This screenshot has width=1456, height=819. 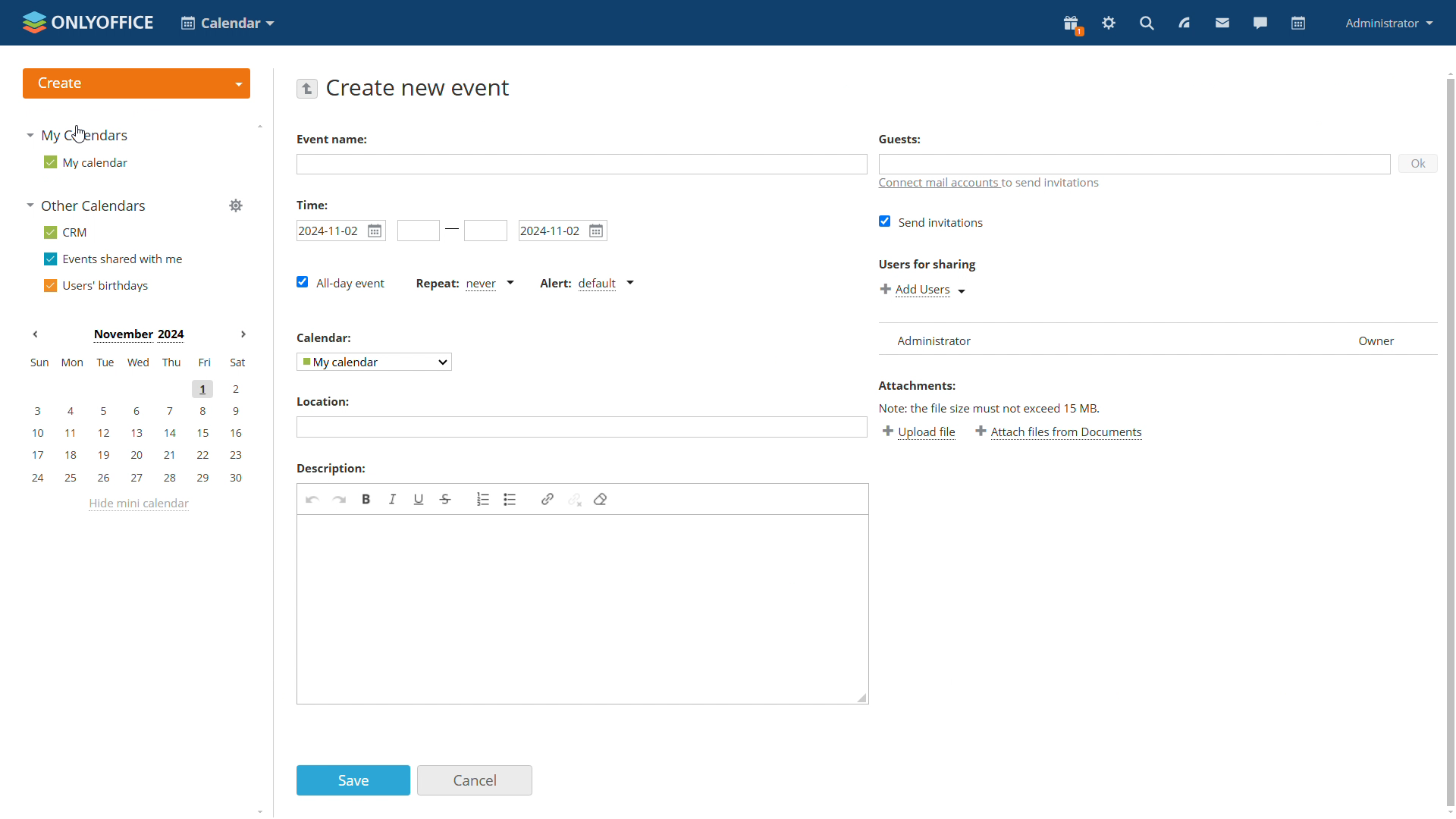 What do you see at coordinates (483, 497) in the screenshot?
I see `insert/remove numbered list` at bounding box center [483, 497].